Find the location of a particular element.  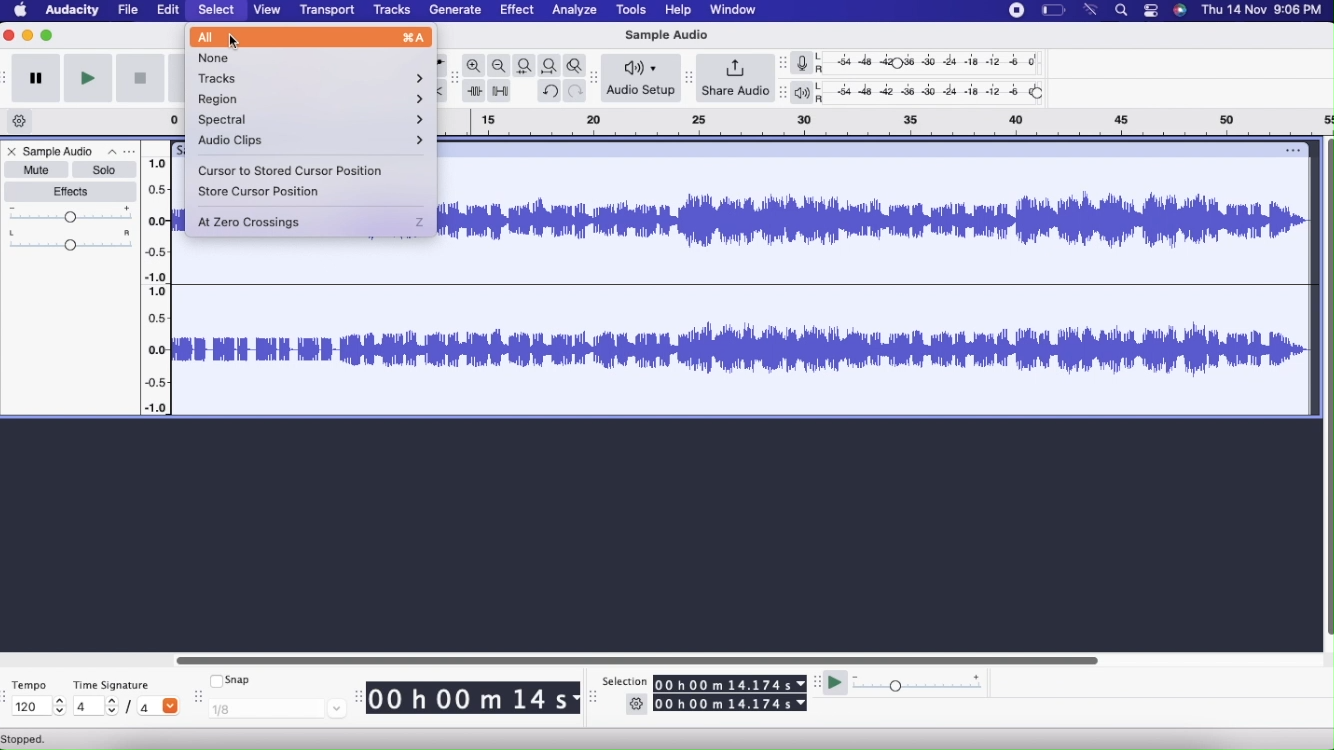

Select is located at coordinates (219, 11).